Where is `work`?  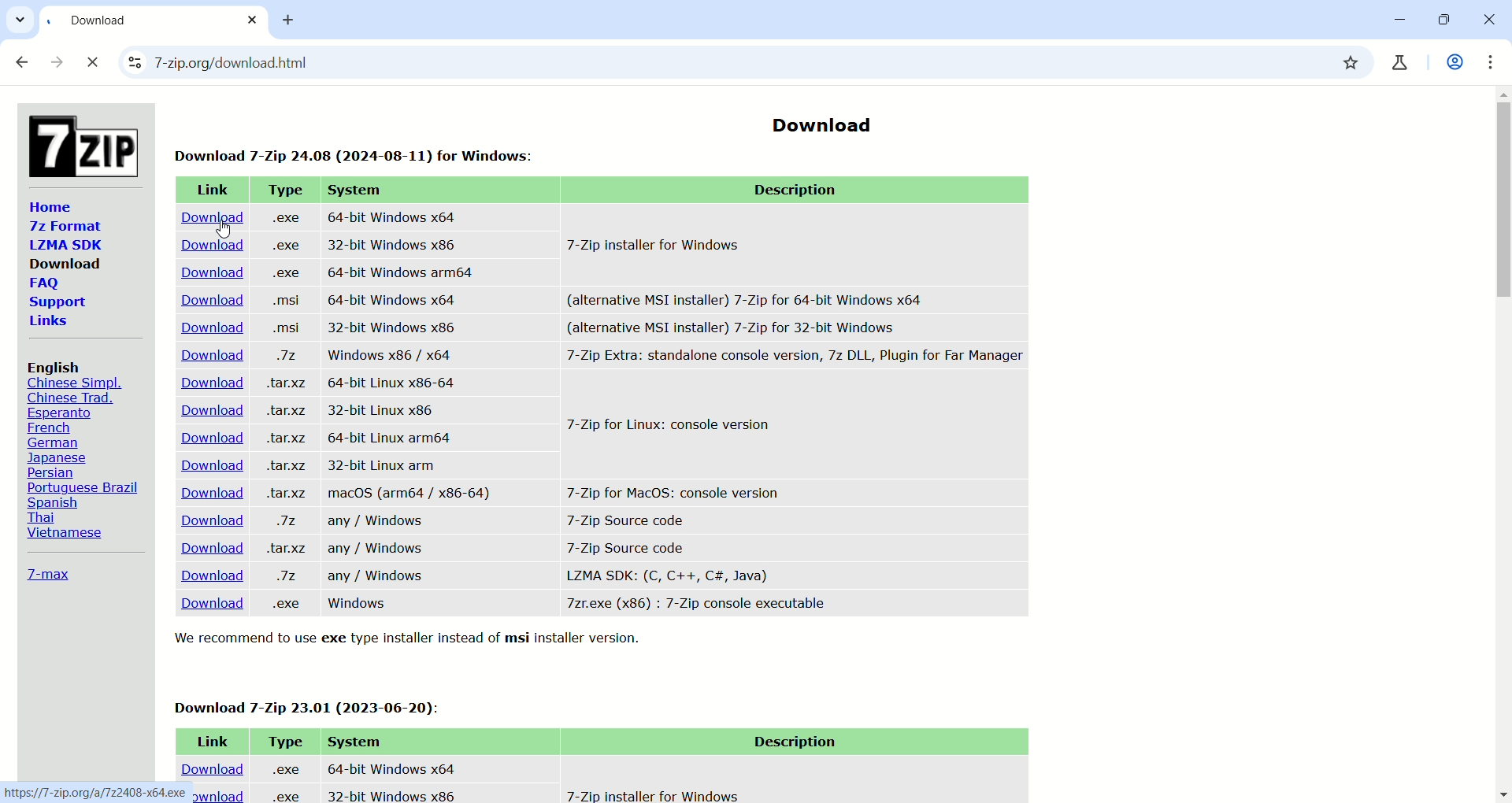
work is located at coordinates (1452, 65).